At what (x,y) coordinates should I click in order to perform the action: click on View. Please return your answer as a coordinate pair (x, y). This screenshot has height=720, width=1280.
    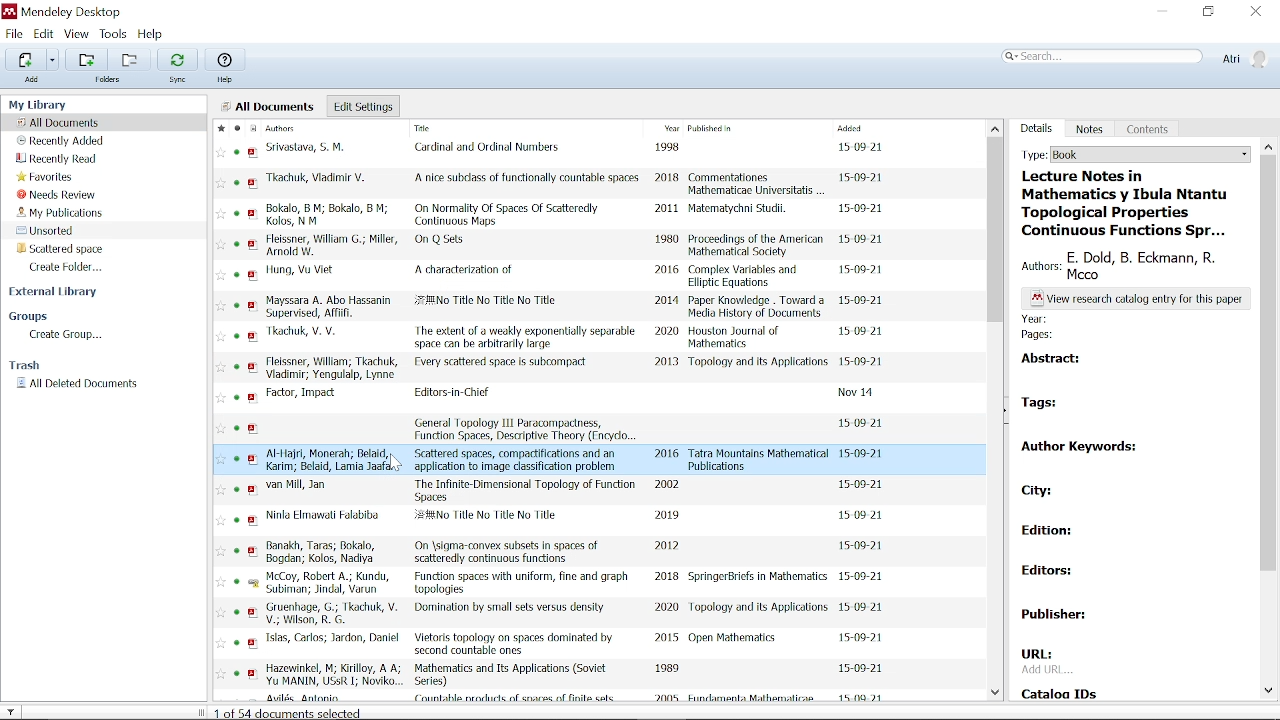
    Looking at the image, I should click on (77, 34).